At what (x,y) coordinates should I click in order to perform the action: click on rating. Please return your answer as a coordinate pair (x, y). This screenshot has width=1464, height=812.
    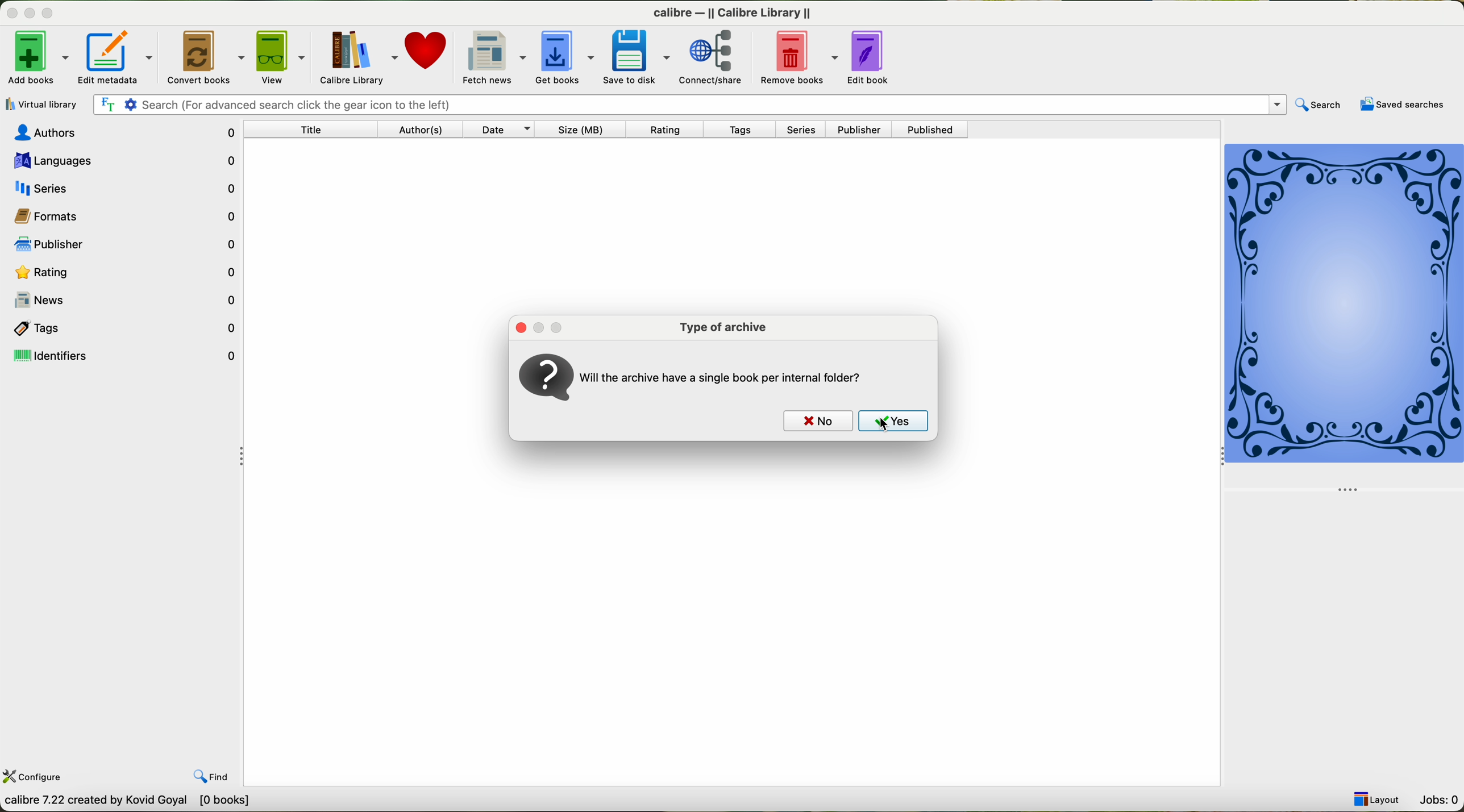
    Looking at the image, I should click on (671, 130).